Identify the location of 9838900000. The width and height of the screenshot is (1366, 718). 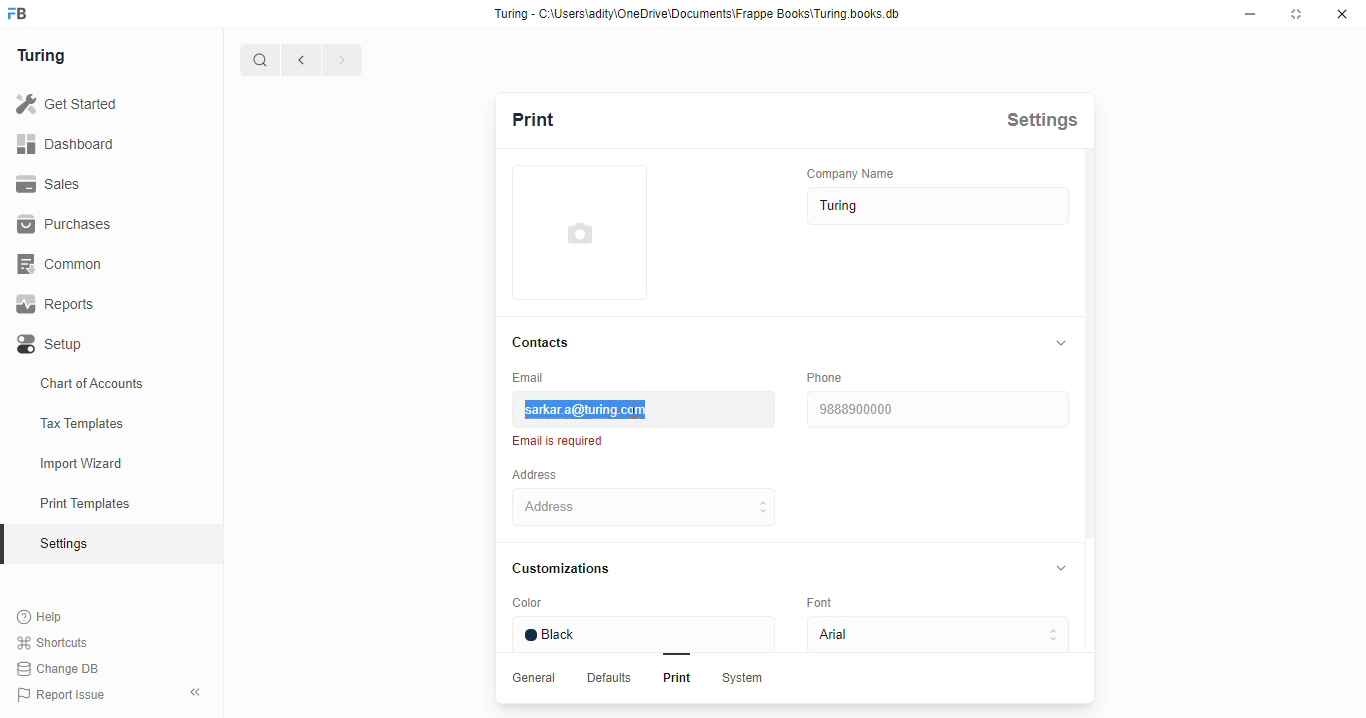
(939, 409).